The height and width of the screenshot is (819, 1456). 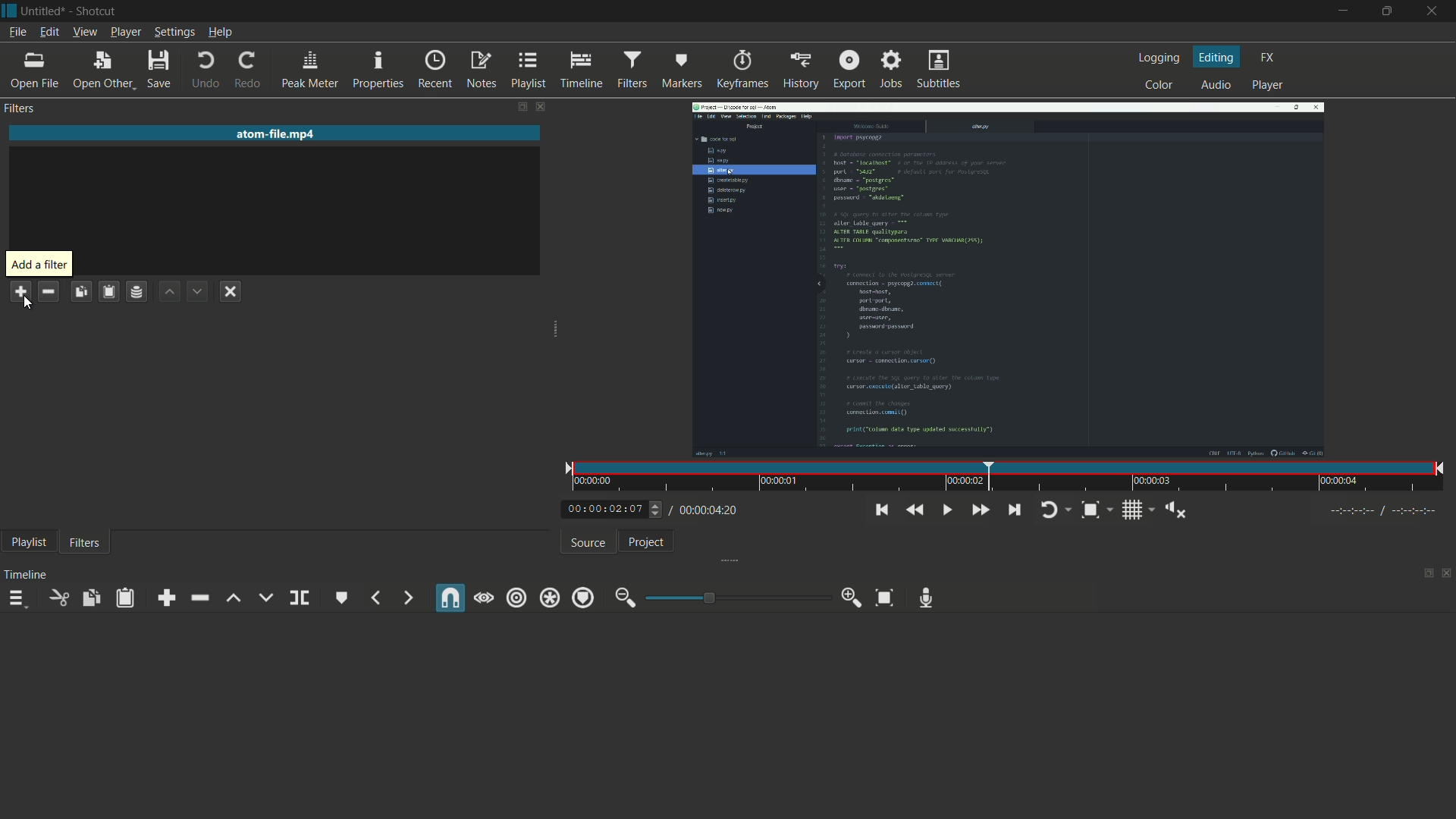 What do you see at coordinates (1097, 510) in the screenshot?
I see `toggle zoom` at bounding box center [1097, 510].